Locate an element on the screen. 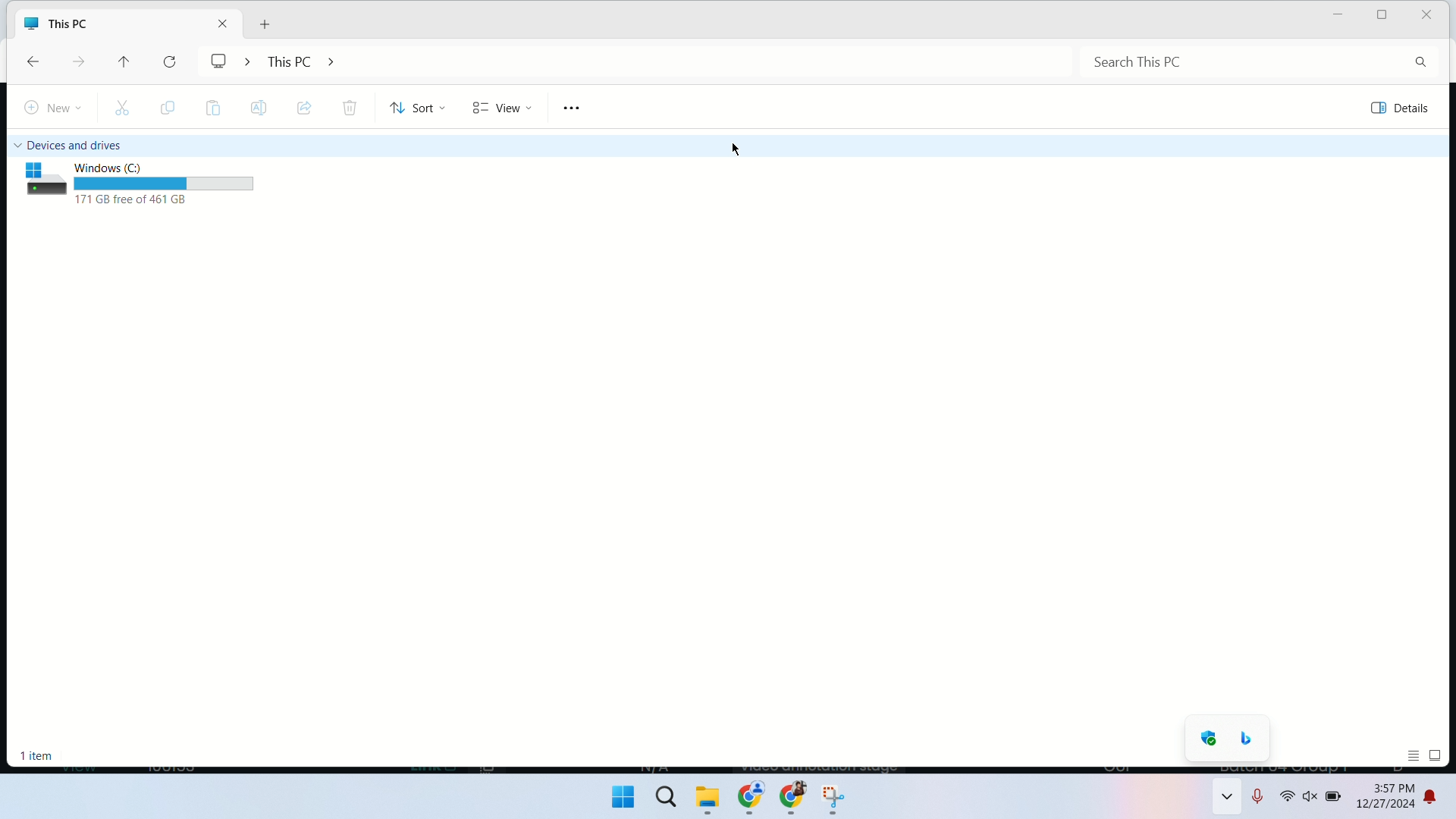 This screenshot has width=1456, height=819. devices and drives is located at coordinates (109, 146).